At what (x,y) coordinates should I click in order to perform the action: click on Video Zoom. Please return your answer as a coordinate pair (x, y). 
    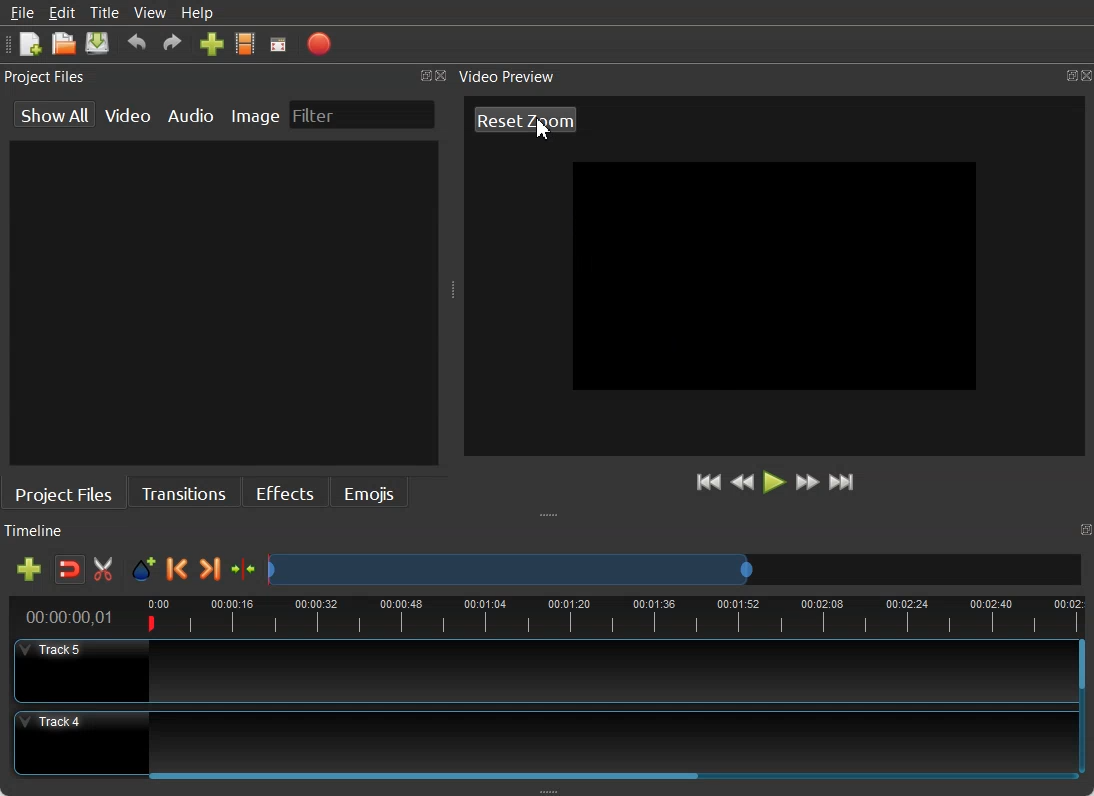
    Looking at the image, I should click on (776, 275).